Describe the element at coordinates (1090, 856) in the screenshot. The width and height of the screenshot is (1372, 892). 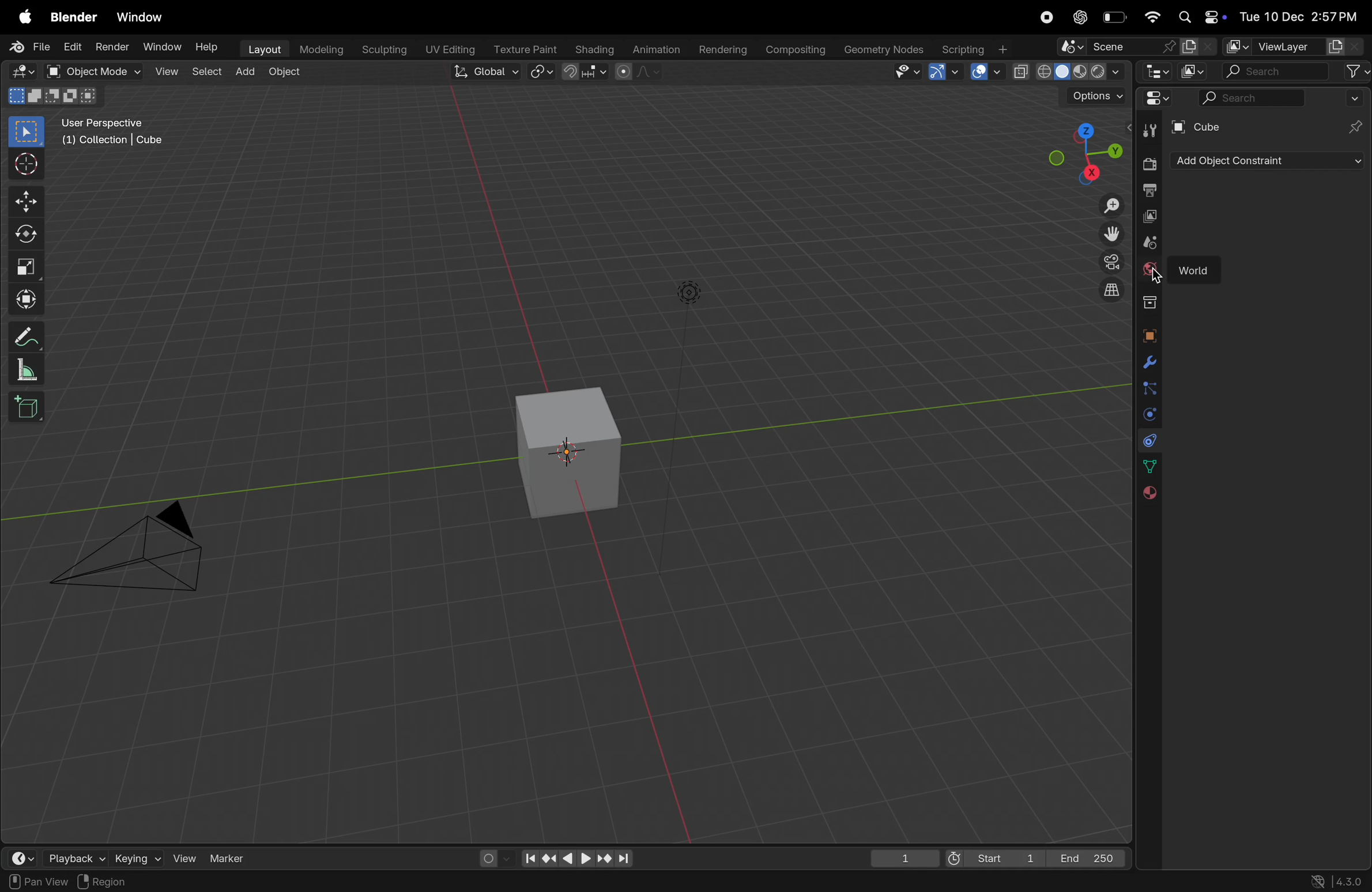
I see `End` at that location.